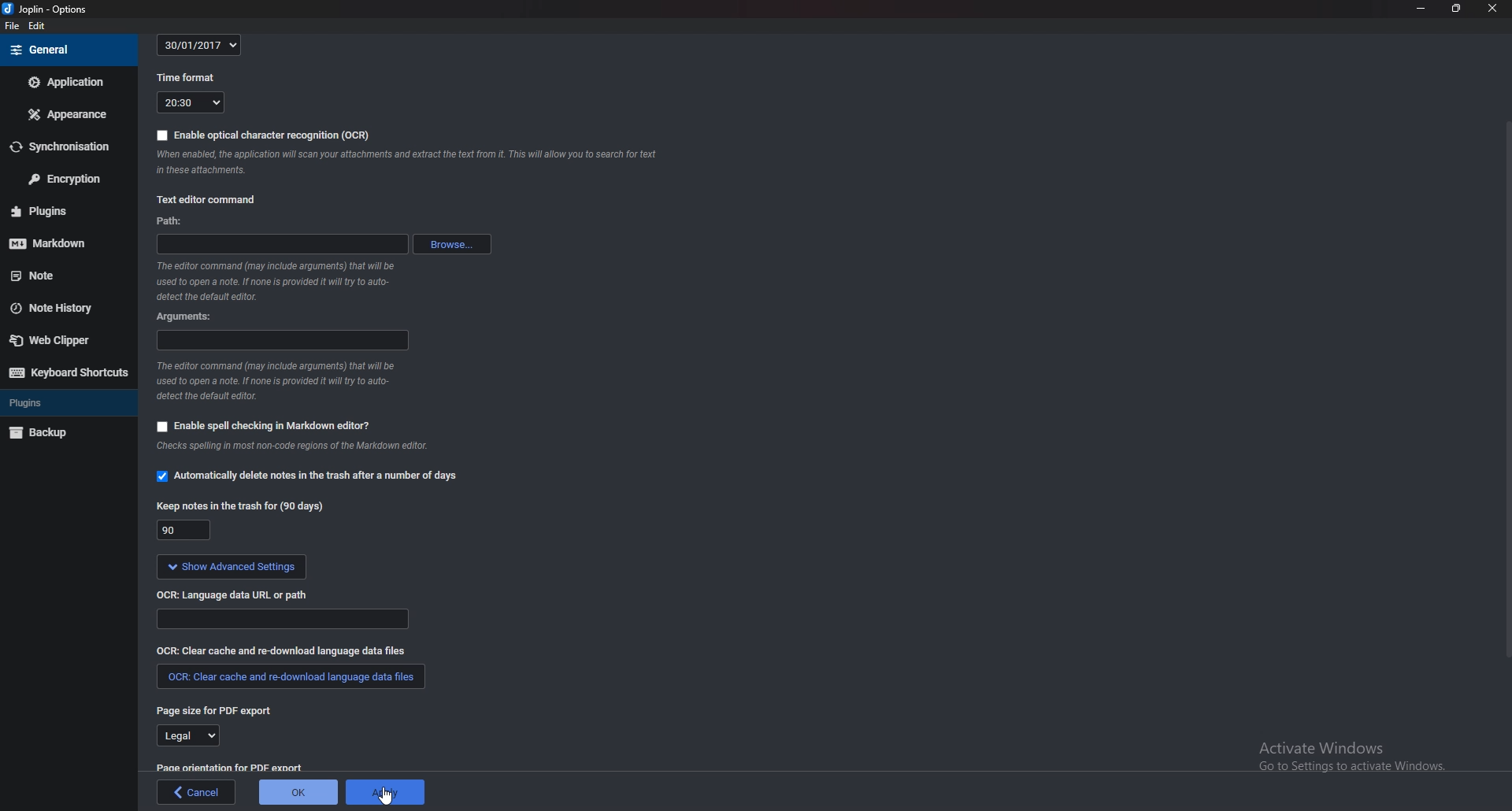  What do you see at coordinates (64, 210) in the screenshot?
I see `Plugins` at bounding box center [64, 210].